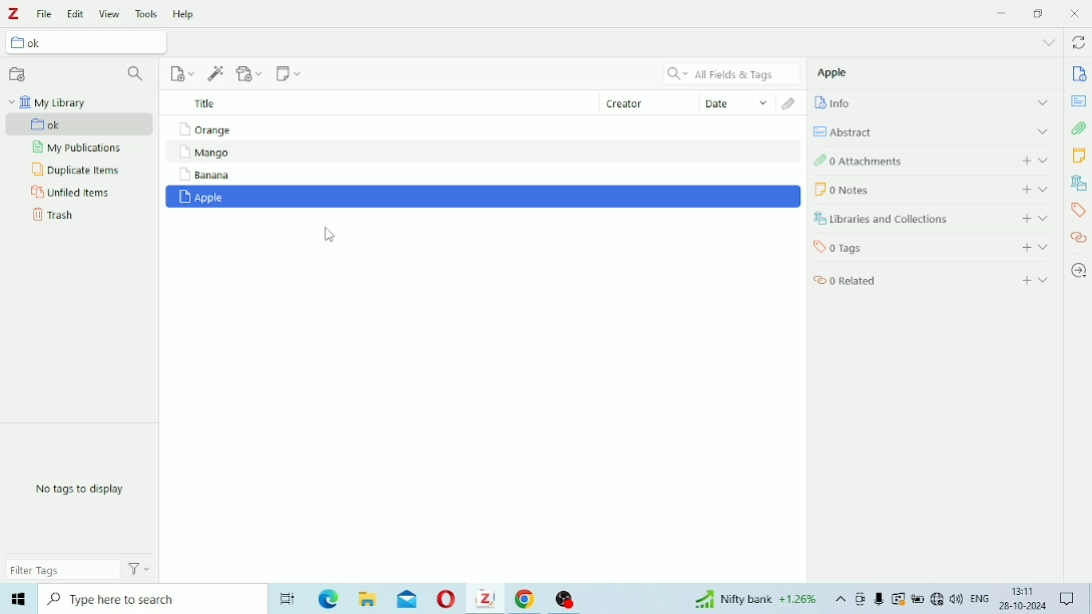  Describe the element at coordinates (1080, 270) in the screenshot. I see `Locate` at that location.